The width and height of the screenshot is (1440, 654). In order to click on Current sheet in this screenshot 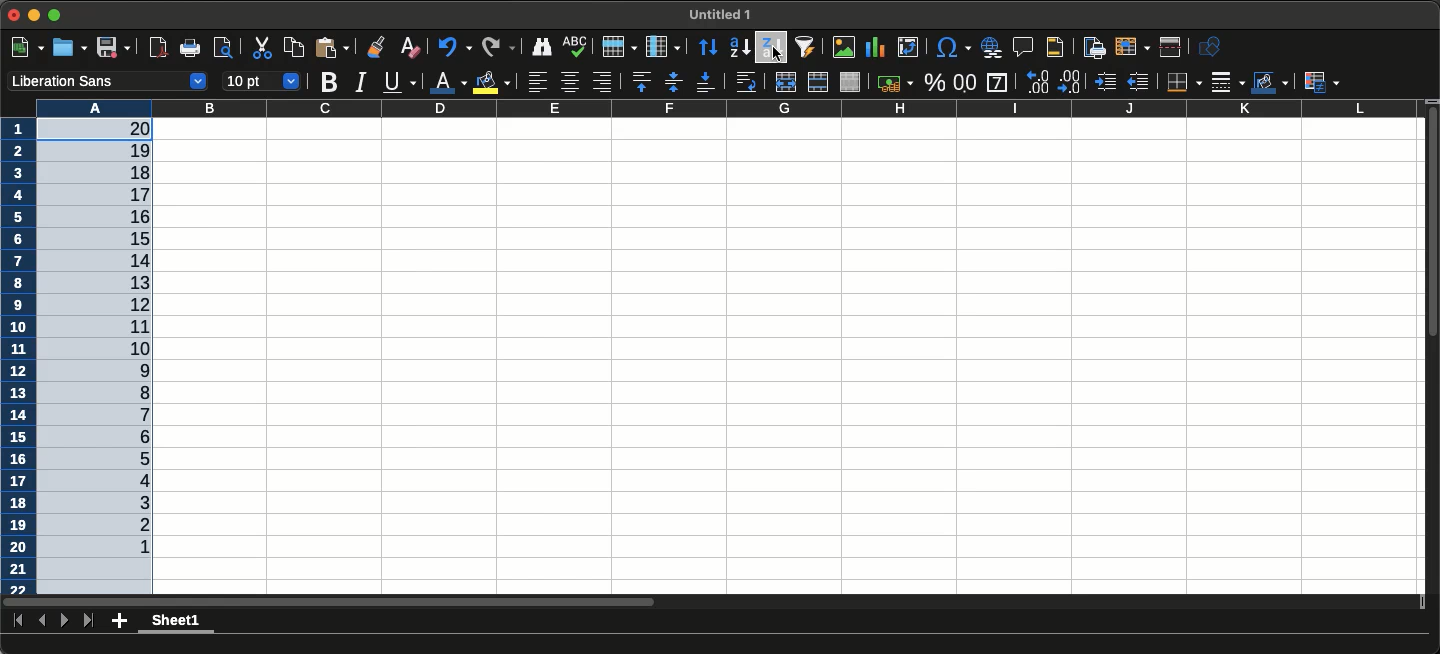, I will do `click(177, 623)`.